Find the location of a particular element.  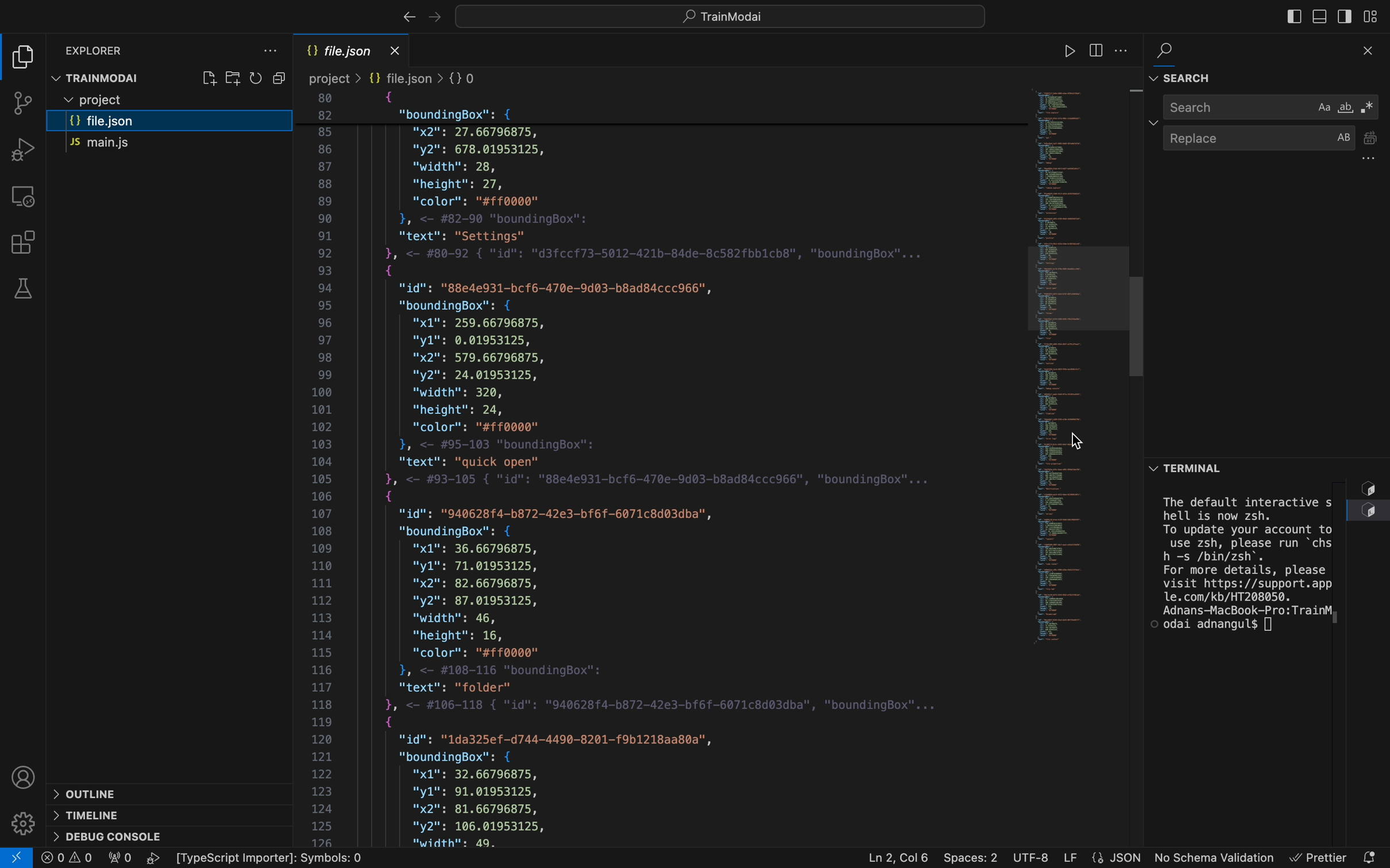

trainmodal is located at coordinates (99, 76).